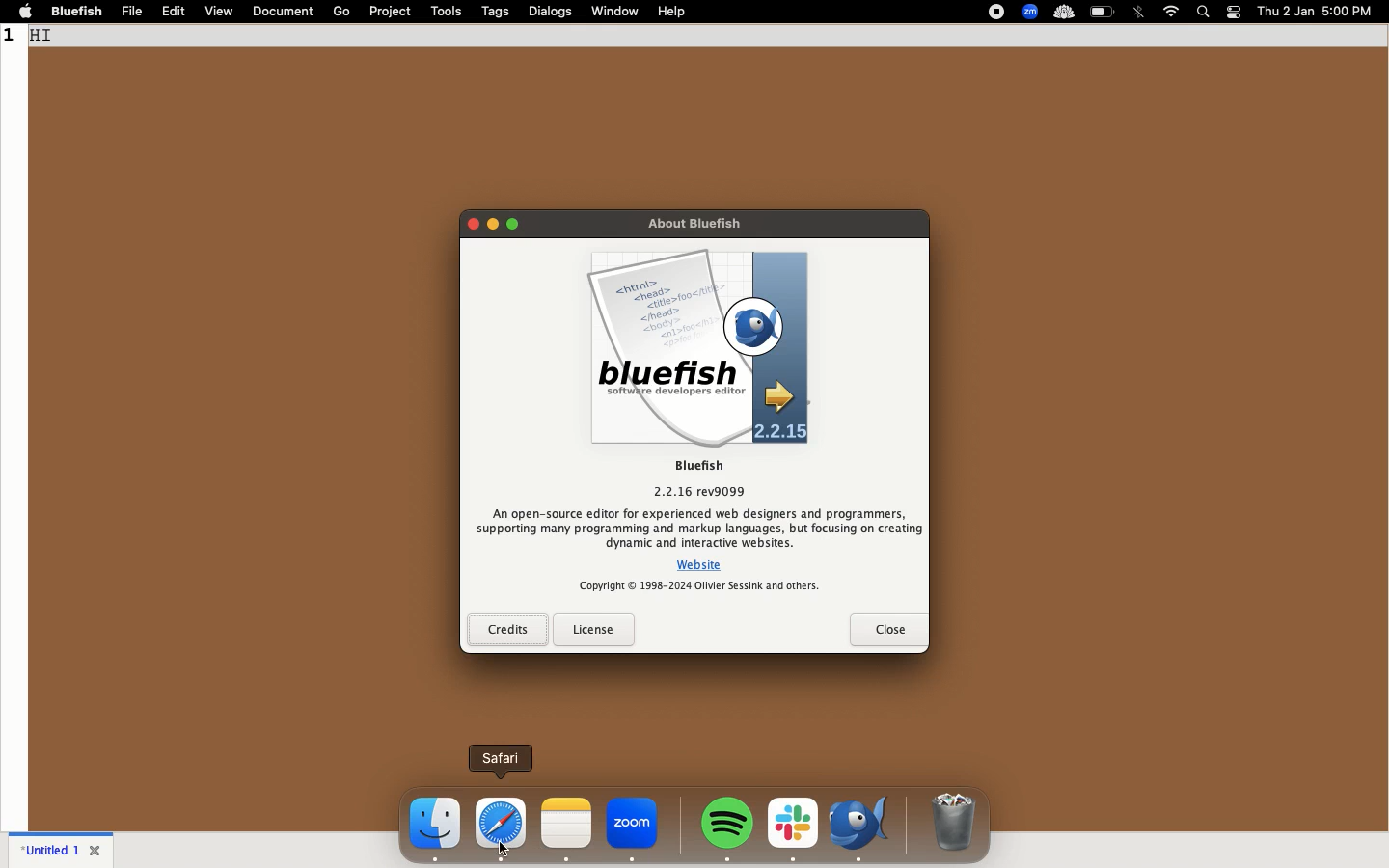 This screenshot has width=1389, height=868. Describe the element at coordinates (617, 10) in the screenshot. I see `window` at that location.